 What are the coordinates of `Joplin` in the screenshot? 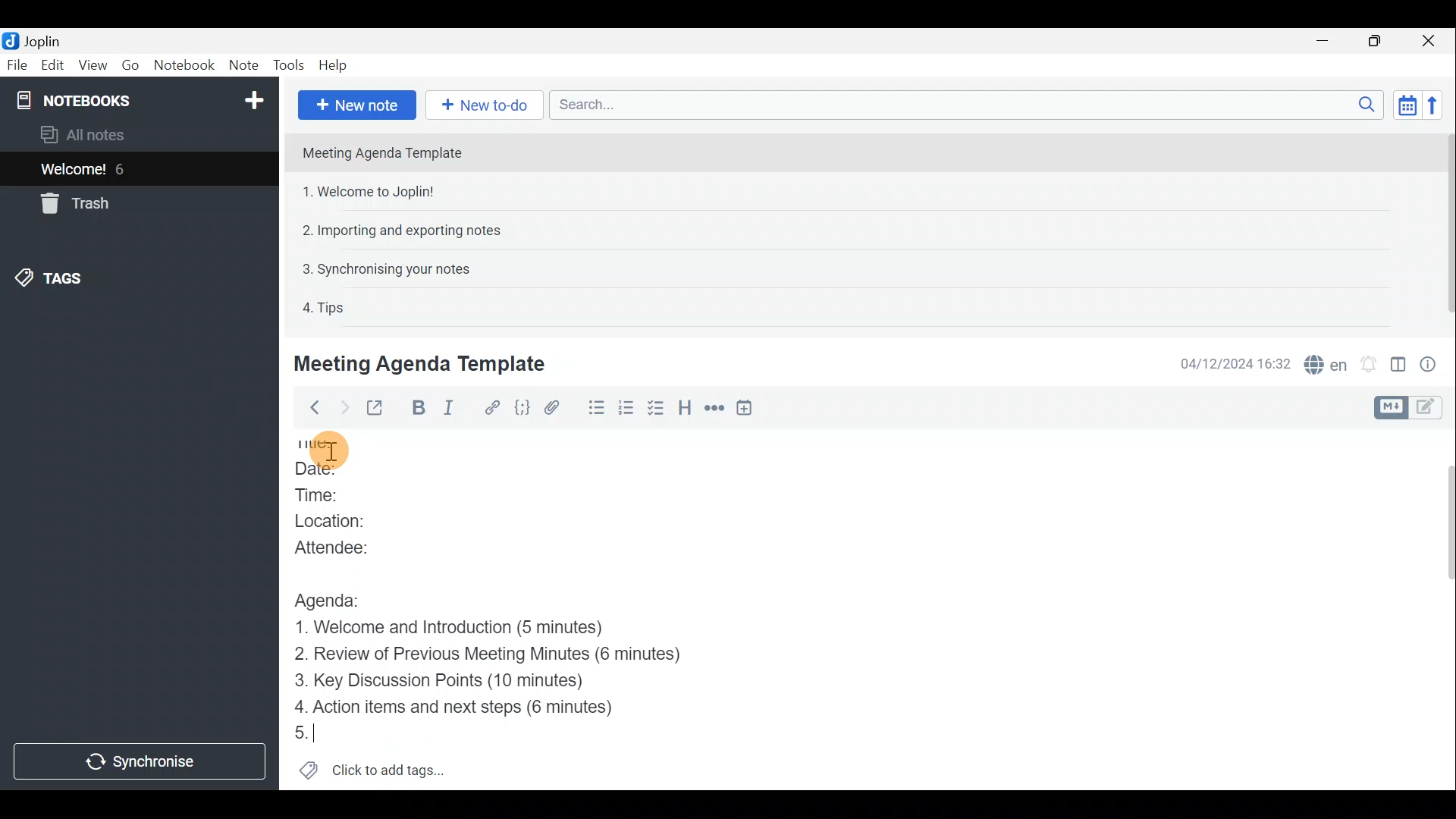 It's located at (42, 40).